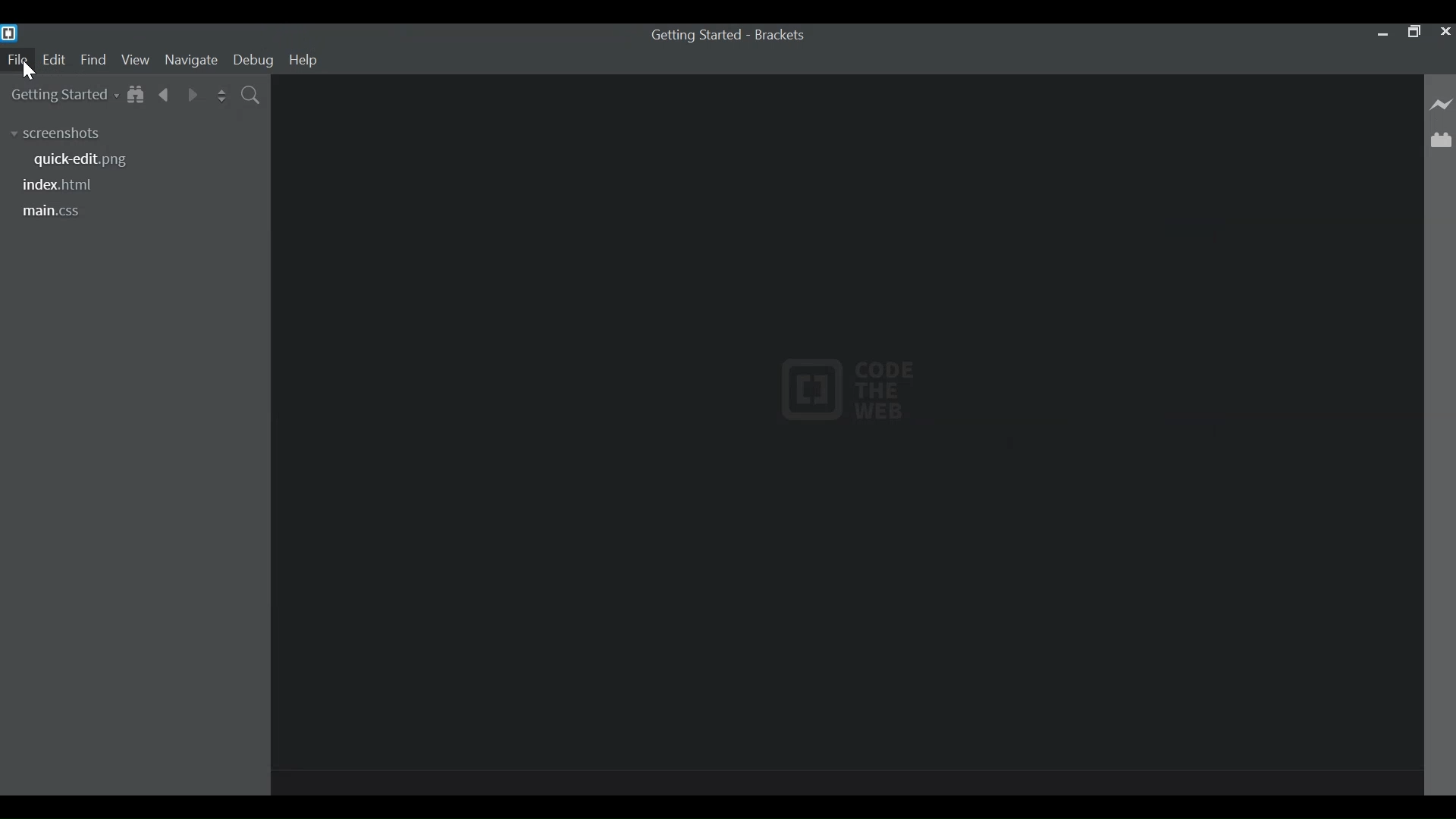 The height and width of the screenshot is (819, 1456). Describe the element at coordinates (15, 60) in the screenshot. I see `File` at that location.